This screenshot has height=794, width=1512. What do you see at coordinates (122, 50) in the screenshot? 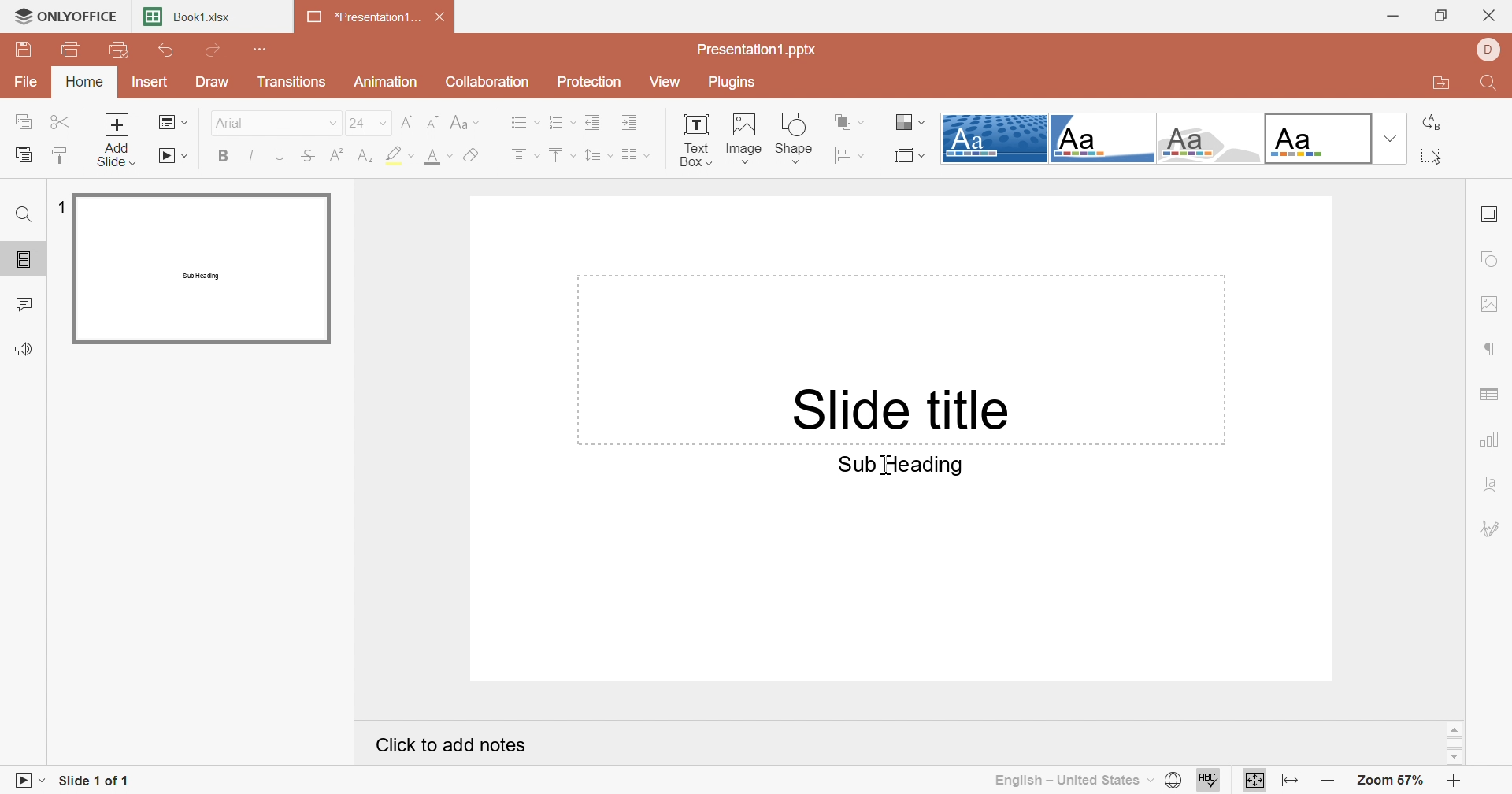
I see `Quick print` at bounding box center [122, 50].